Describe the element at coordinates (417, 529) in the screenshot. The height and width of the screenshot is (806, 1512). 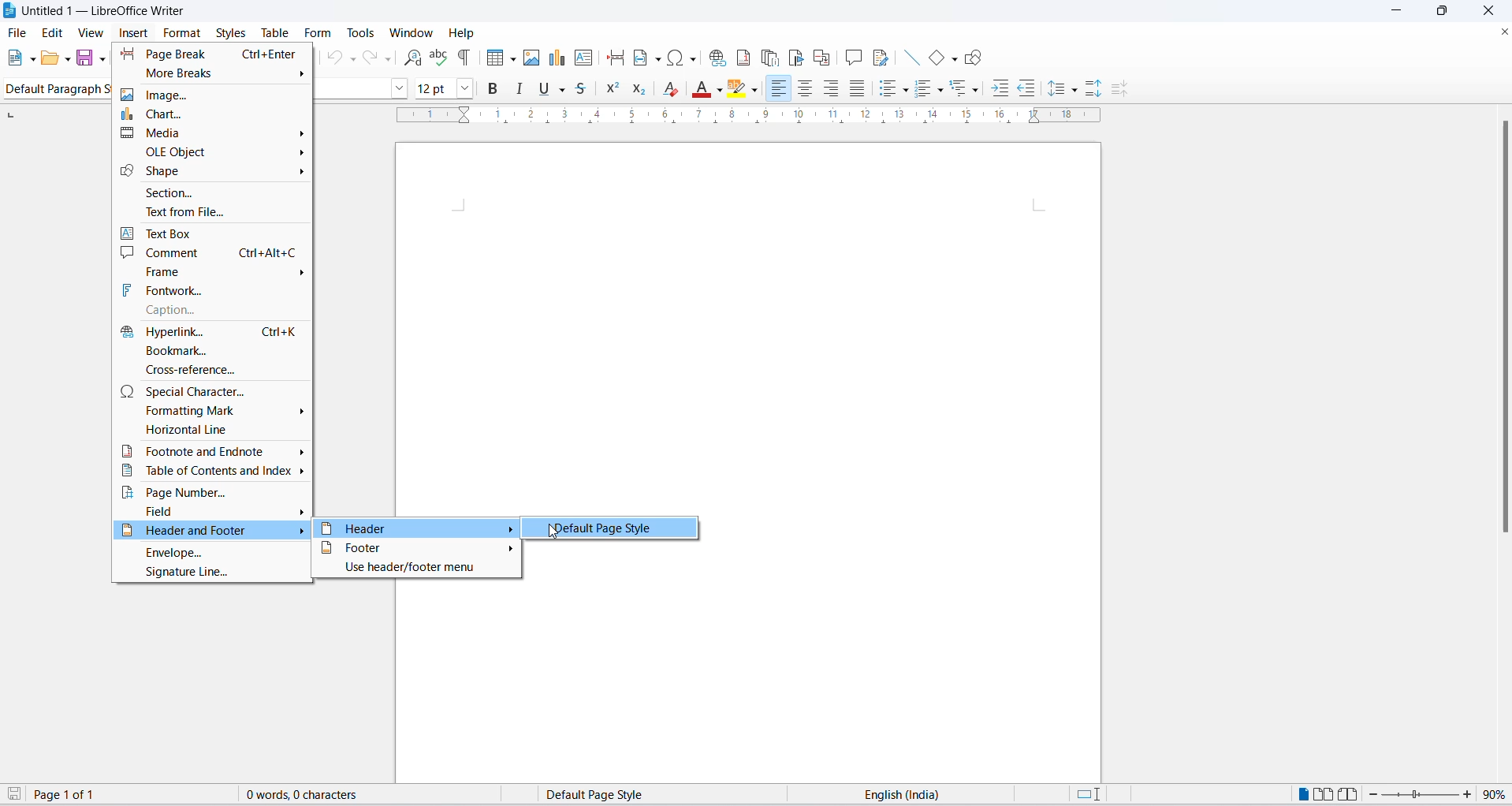
I see `header` at that location.